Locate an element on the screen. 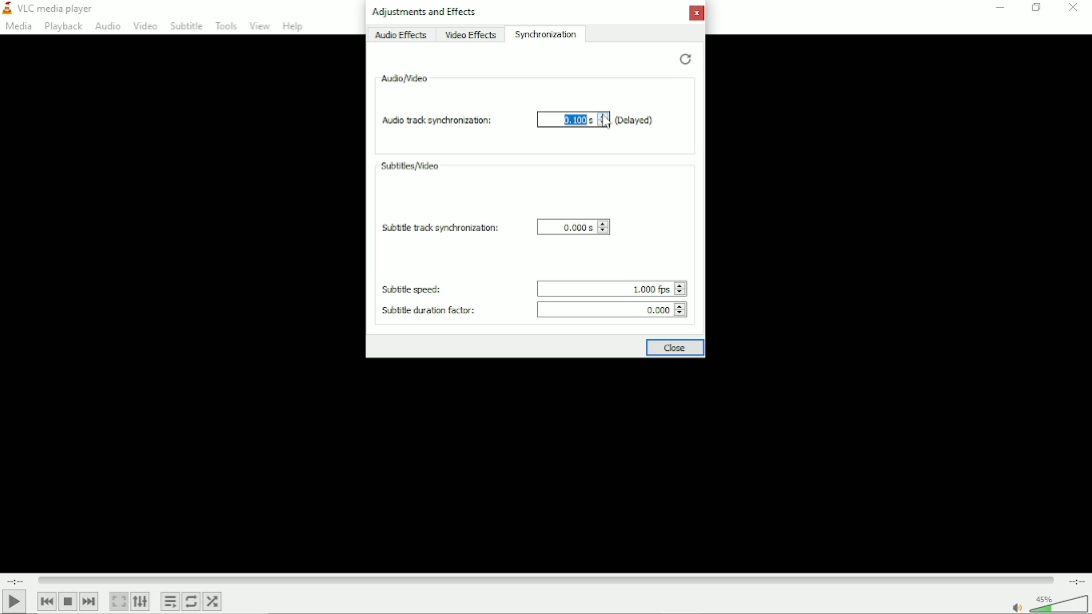 The image size is (1092, 614). Play is located at coordinates (14, 602).